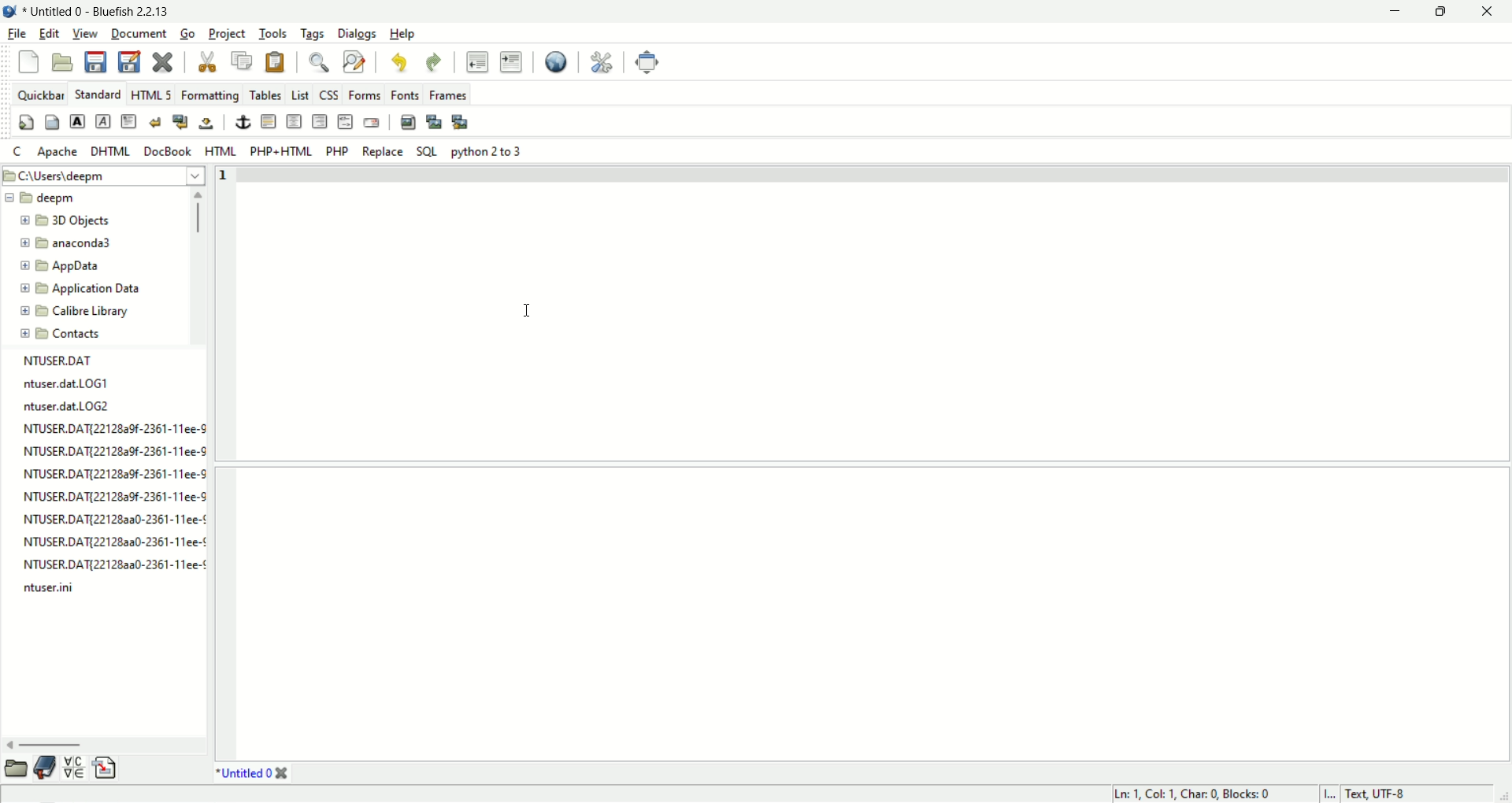  I want to click on Apache, so click(59, 152).